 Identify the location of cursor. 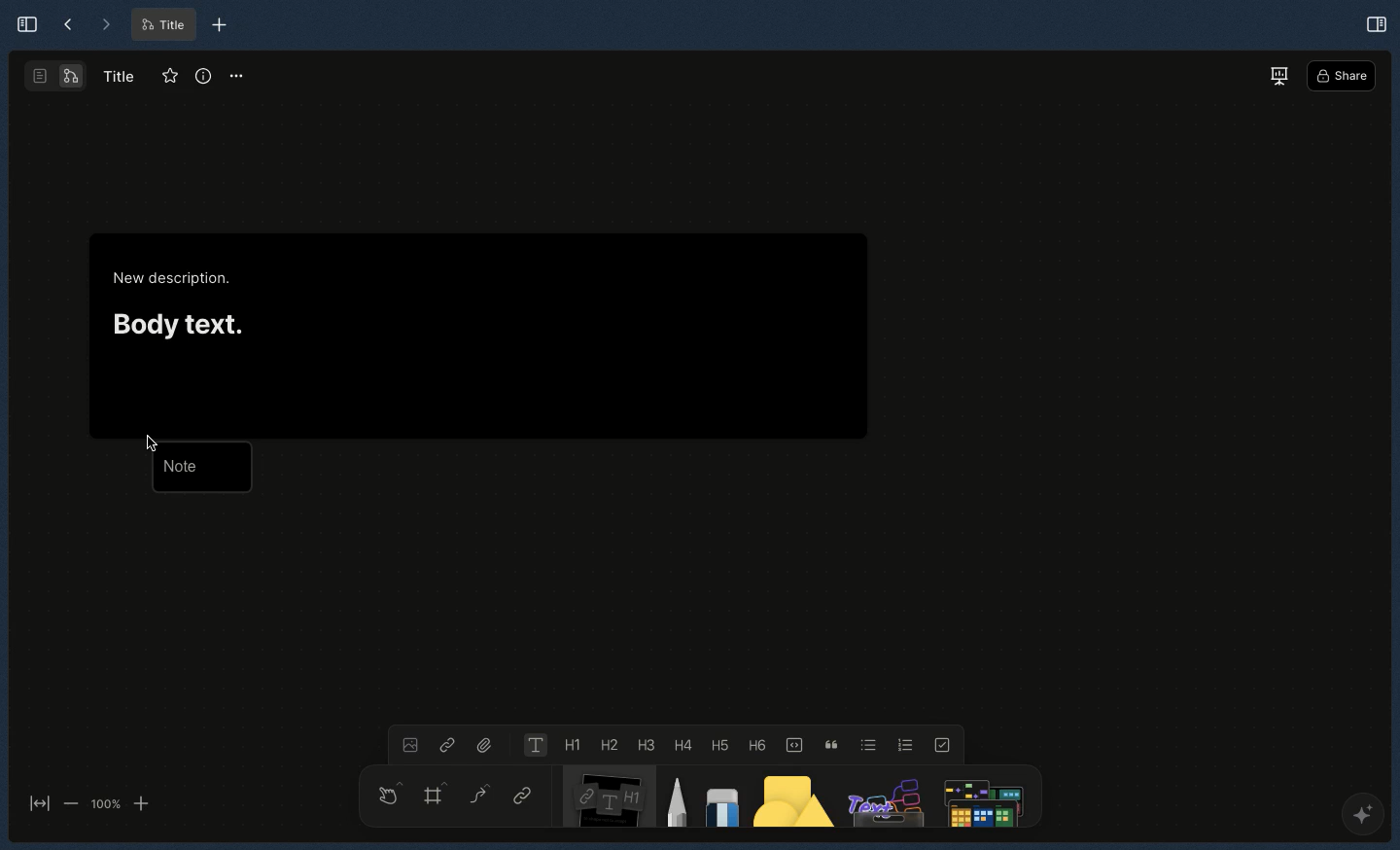
(151, 445).